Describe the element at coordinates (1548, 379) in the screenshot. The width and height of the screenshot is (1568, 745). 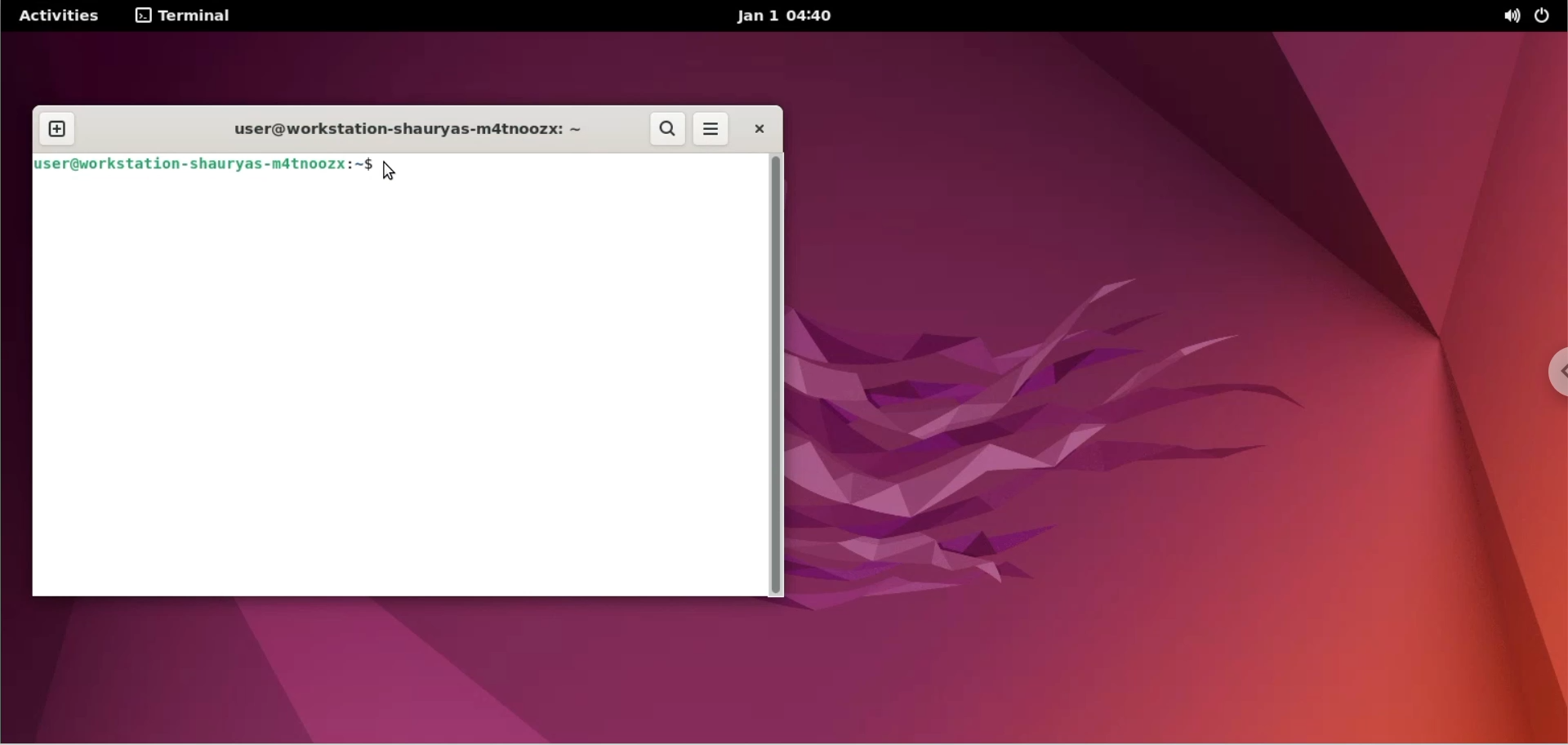
I see `chrome options` at that location.